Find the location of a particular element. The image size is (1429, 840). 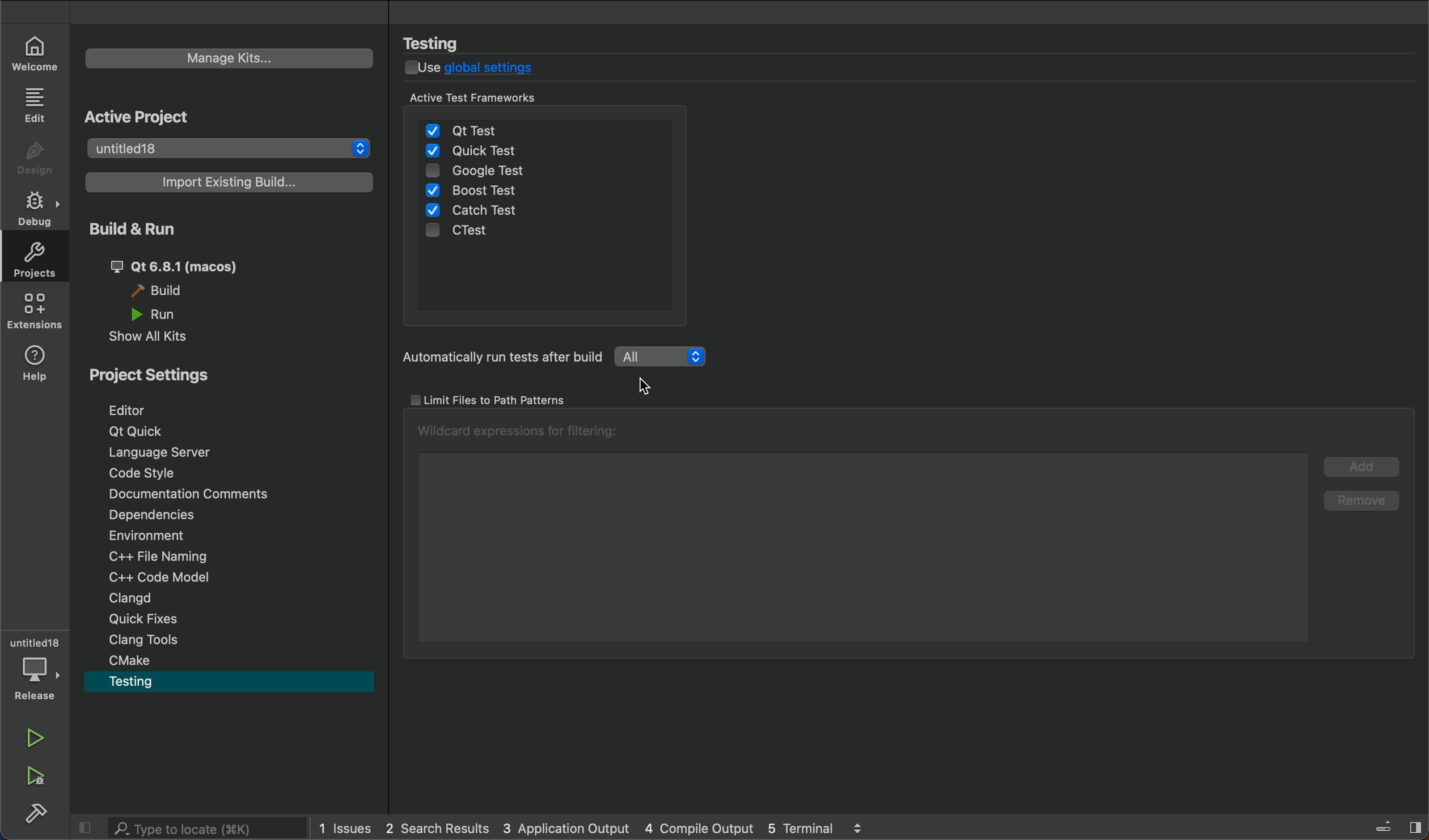

qt is located at coordinates (185, 267).